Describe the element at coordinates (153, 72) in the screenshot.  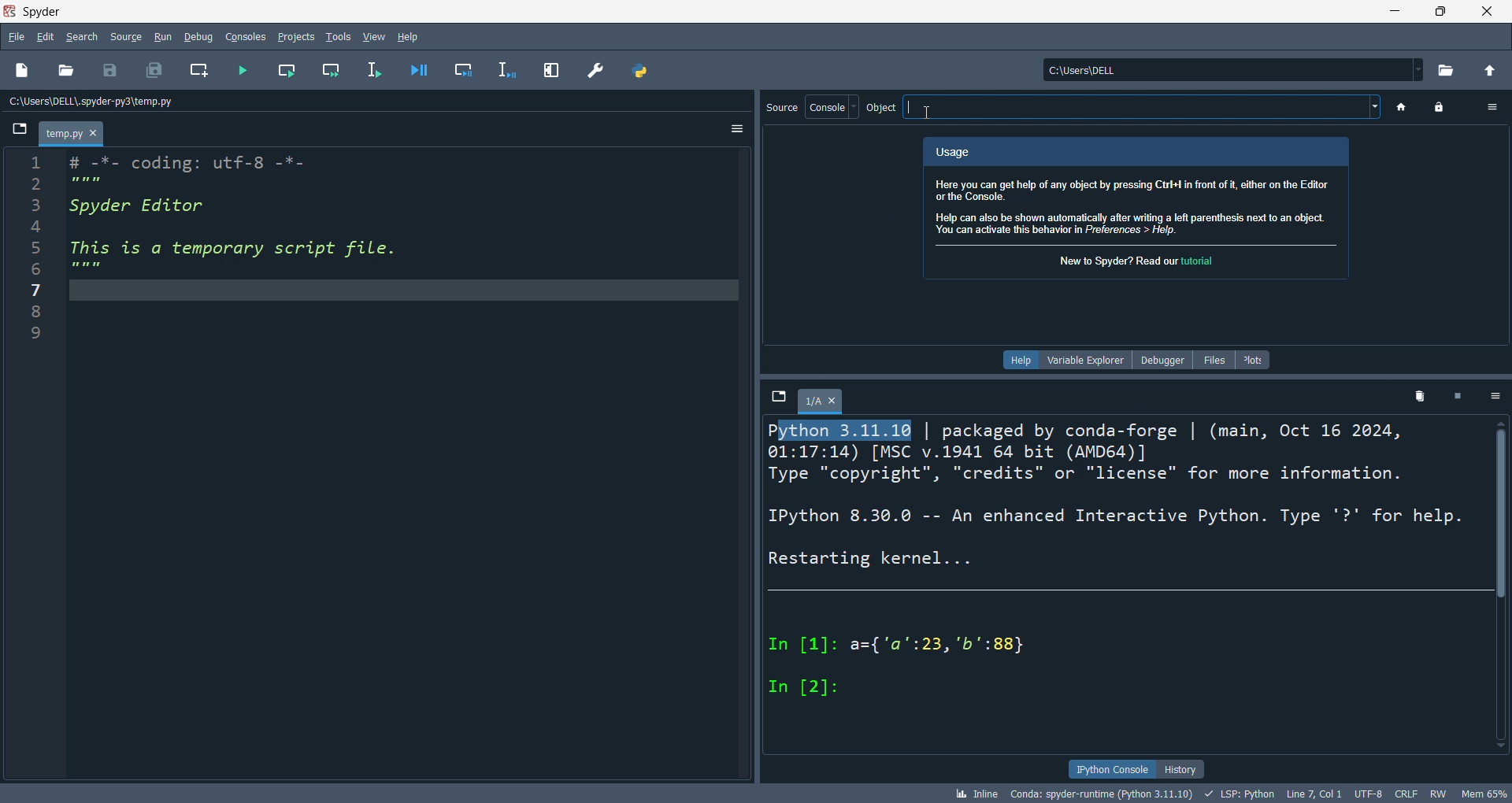
I see `save all` at that location.